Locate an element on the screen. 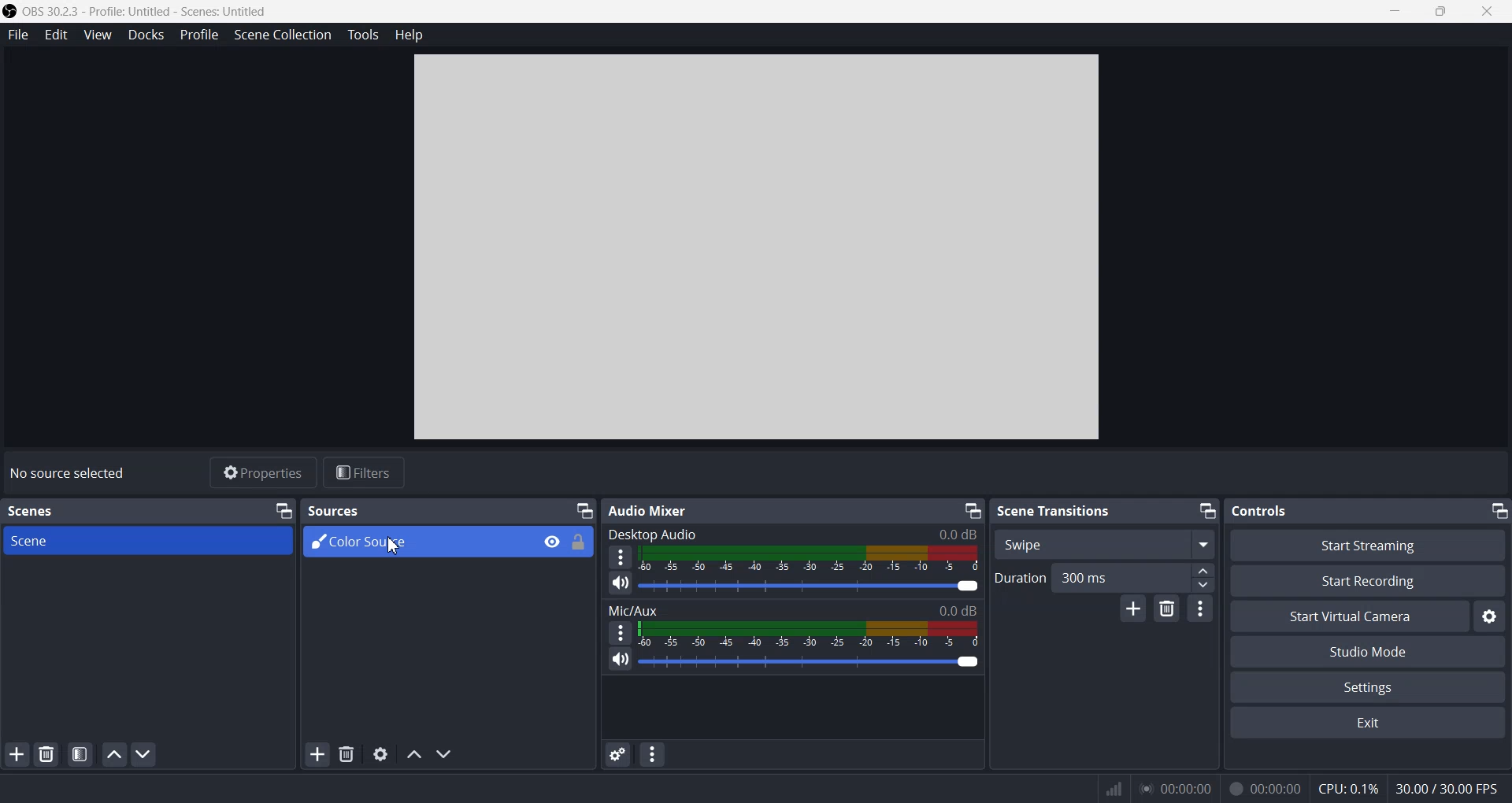 The image size is (1512, 803). Settings is located at coordinates (1369, 686).